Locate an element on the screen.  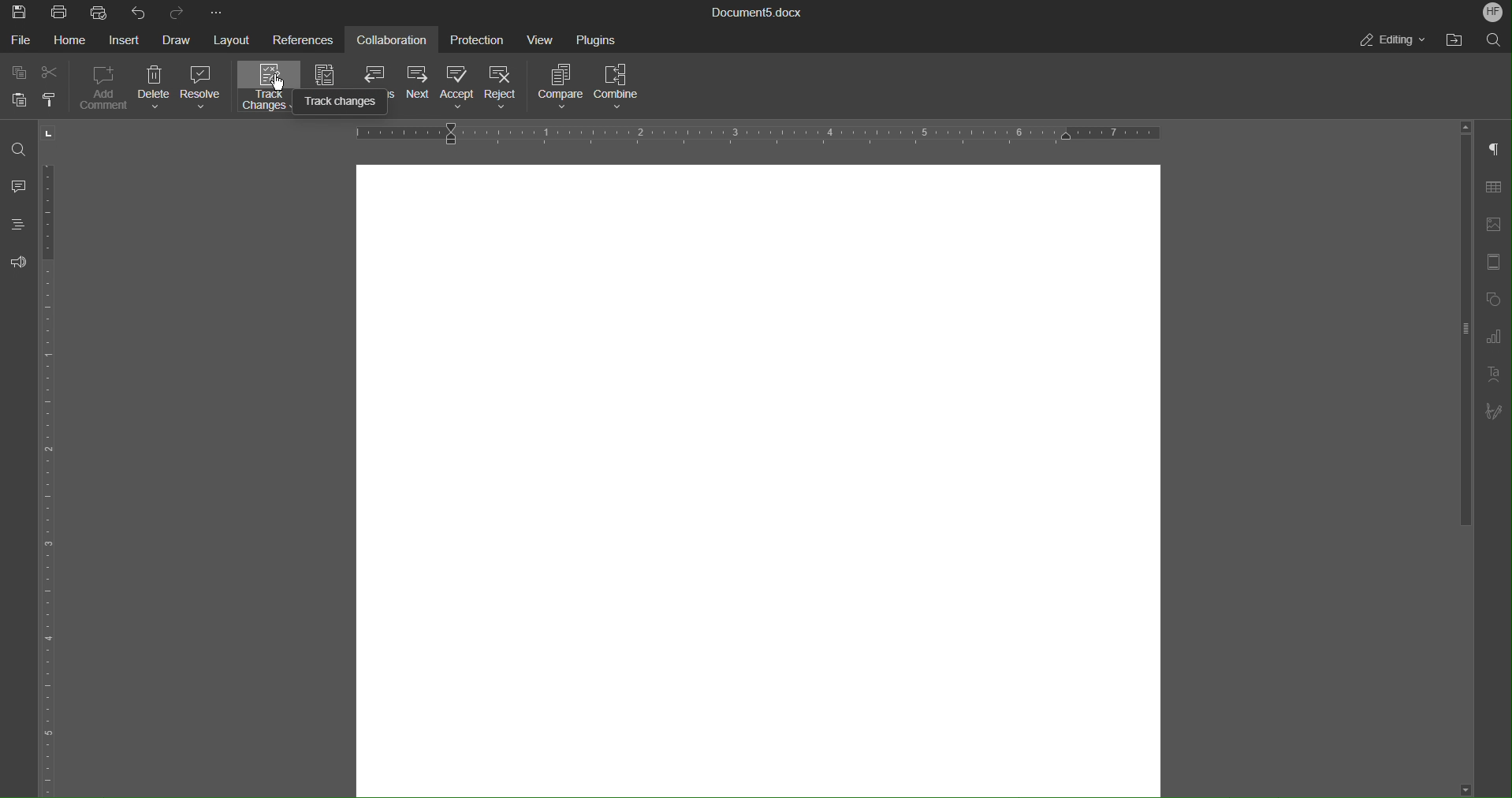
Layout is located at coordinates (240, 40).